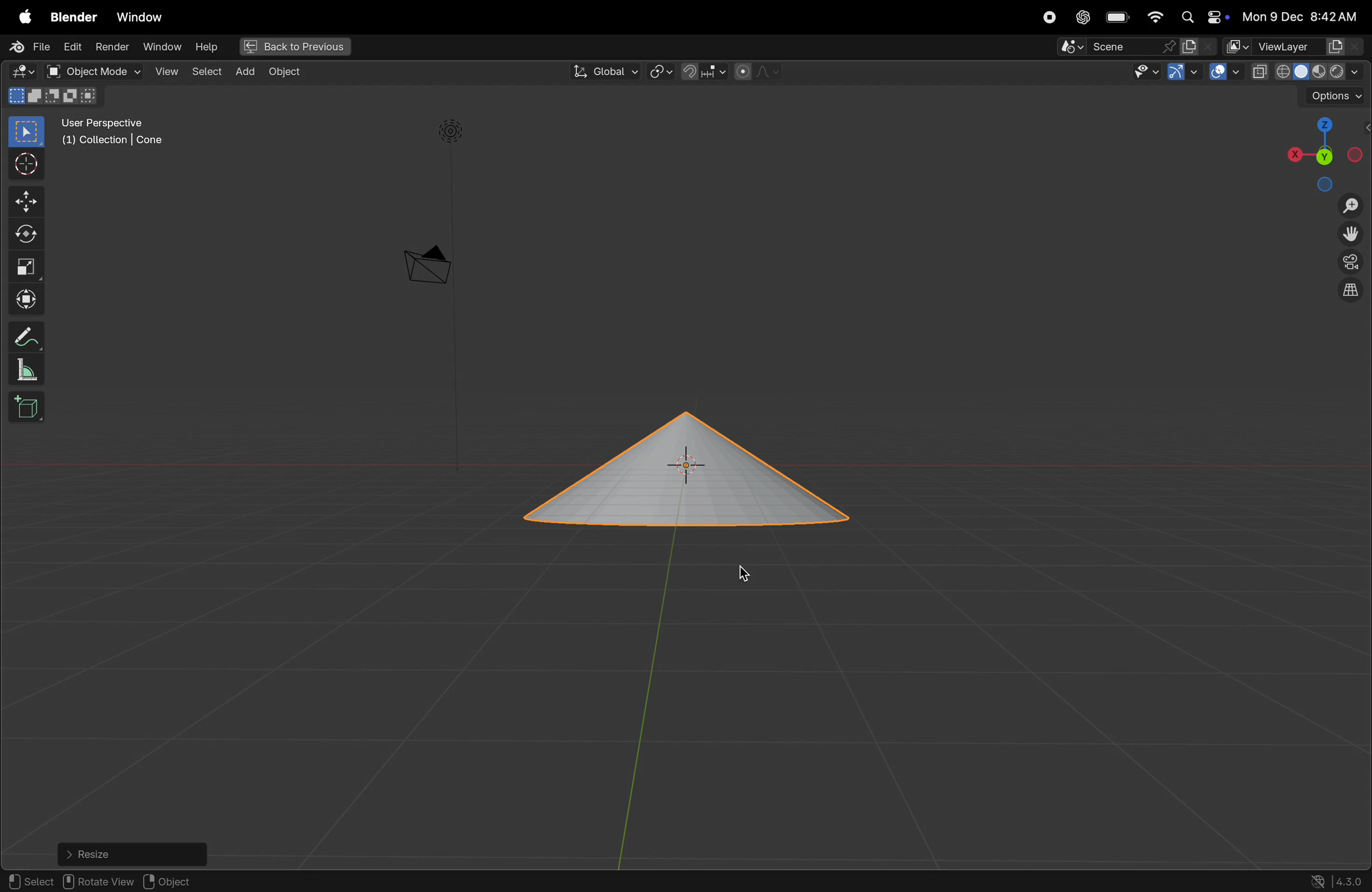 This screenshot has width=1372, height=892. Describe the element at coordinates (705, 71) in the screenshot. I see `snapping` at that location.